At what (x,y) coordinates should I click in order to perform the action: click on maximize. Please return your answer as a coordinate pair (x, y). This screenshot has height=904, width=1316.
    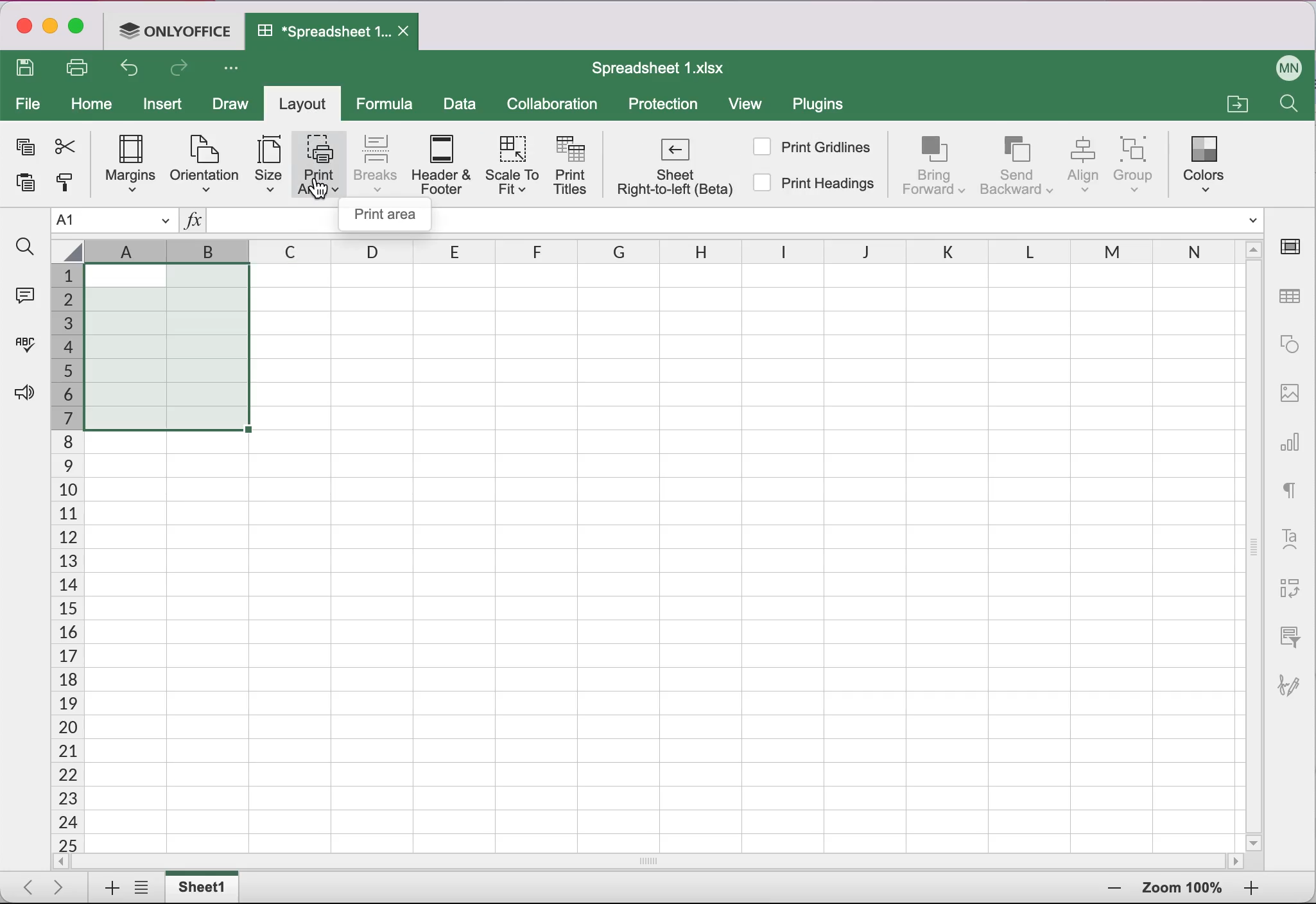
    Looking at the image, I should click on (81, 29).